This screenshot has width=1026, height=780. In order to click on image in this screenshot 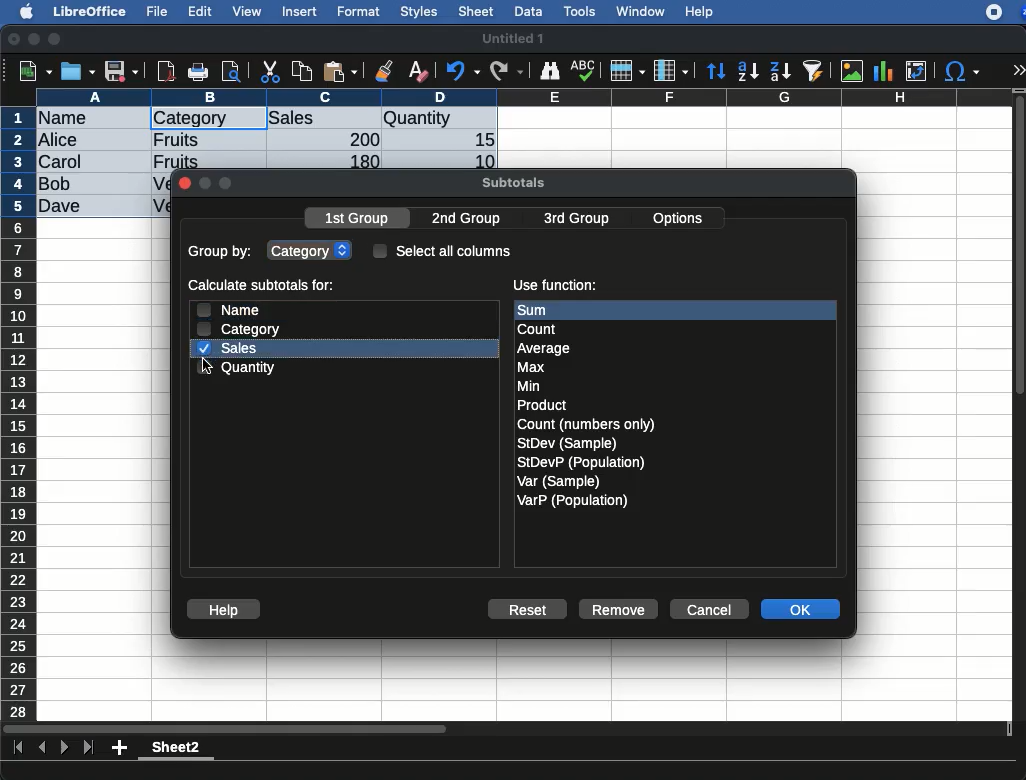, I will do `click(854, 71)`.